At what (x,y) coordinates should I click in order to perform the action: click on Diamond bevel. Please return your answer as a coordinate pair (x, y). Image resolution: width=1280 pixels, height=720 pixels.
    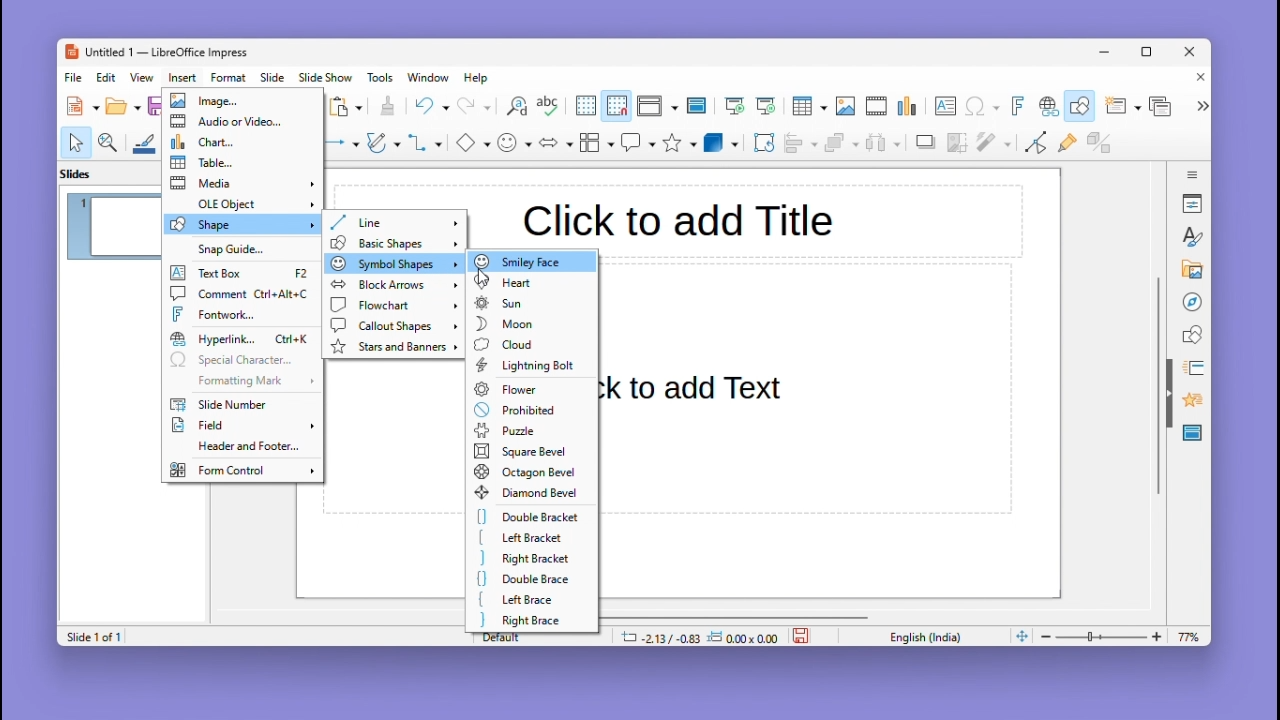
    Looking at the image, I should click on (529, 493).